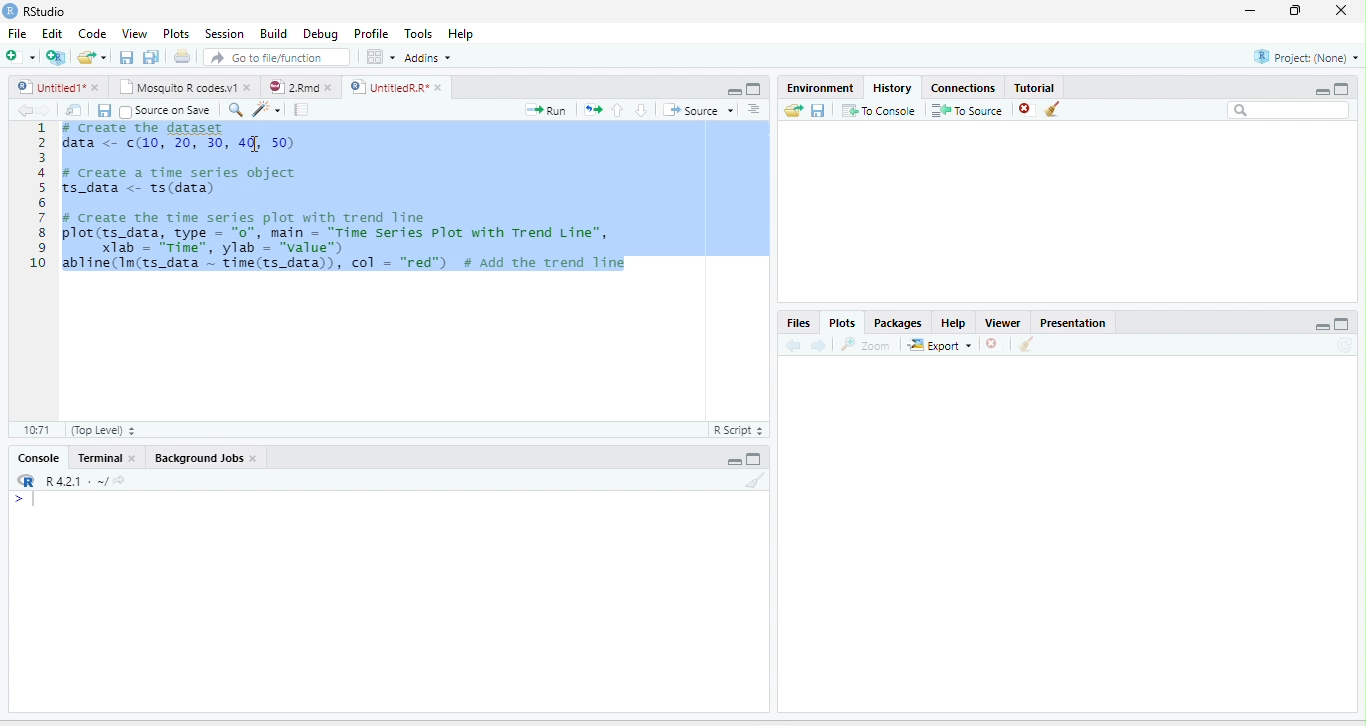 Image resolution: width=1366 pixels, height=726 pixels. What do you see at coordinates (302, 110) in the screenshot?
I see `Compile Report` at bounding box center [302, 110].